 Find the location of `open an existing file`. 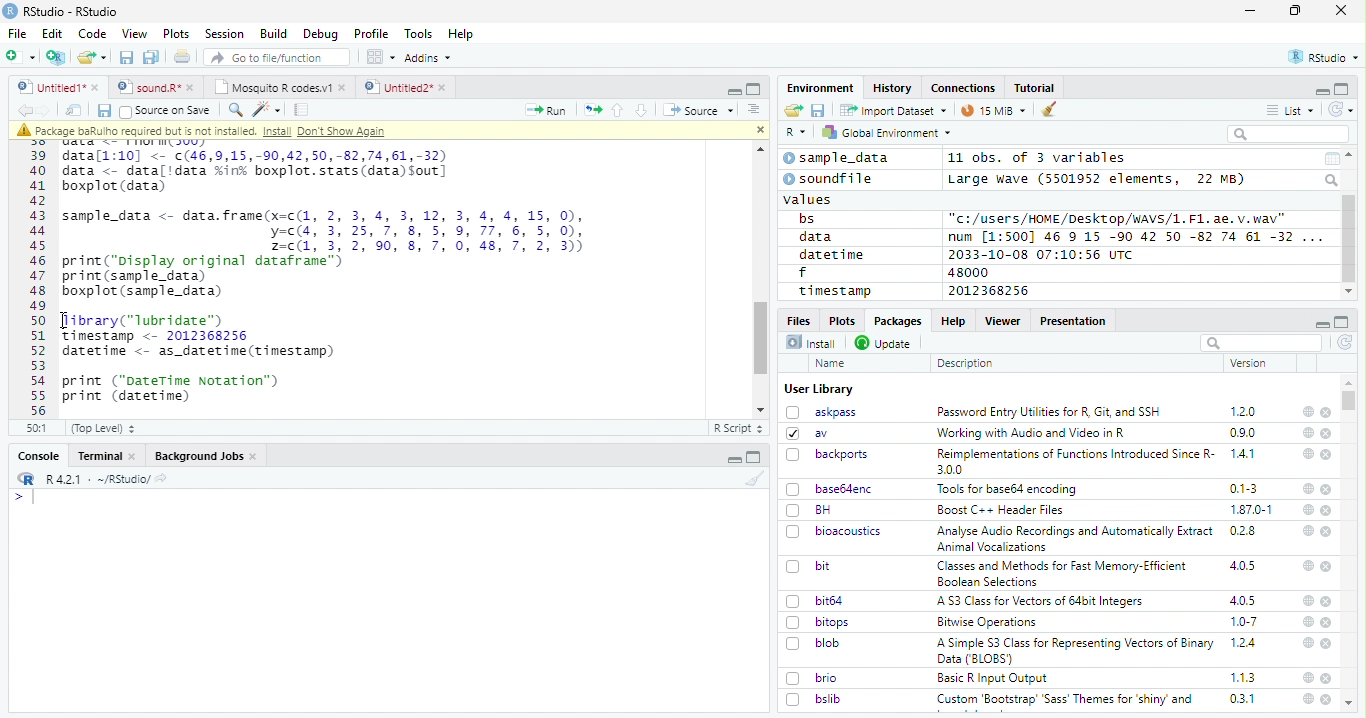

open an existing file is located at coordinates (91, 58).